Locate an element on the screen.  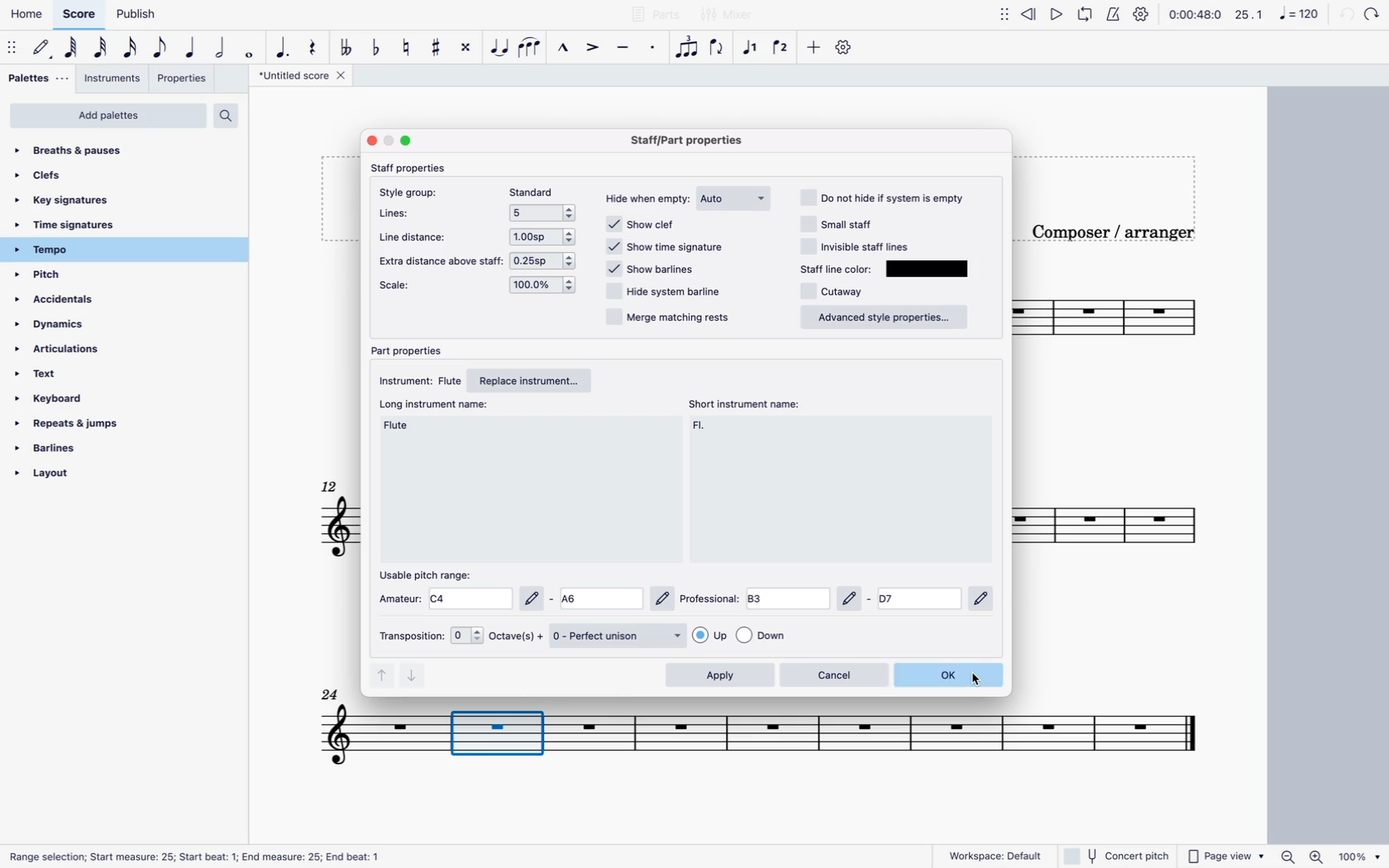
ok is located at coordinates (952, 675).